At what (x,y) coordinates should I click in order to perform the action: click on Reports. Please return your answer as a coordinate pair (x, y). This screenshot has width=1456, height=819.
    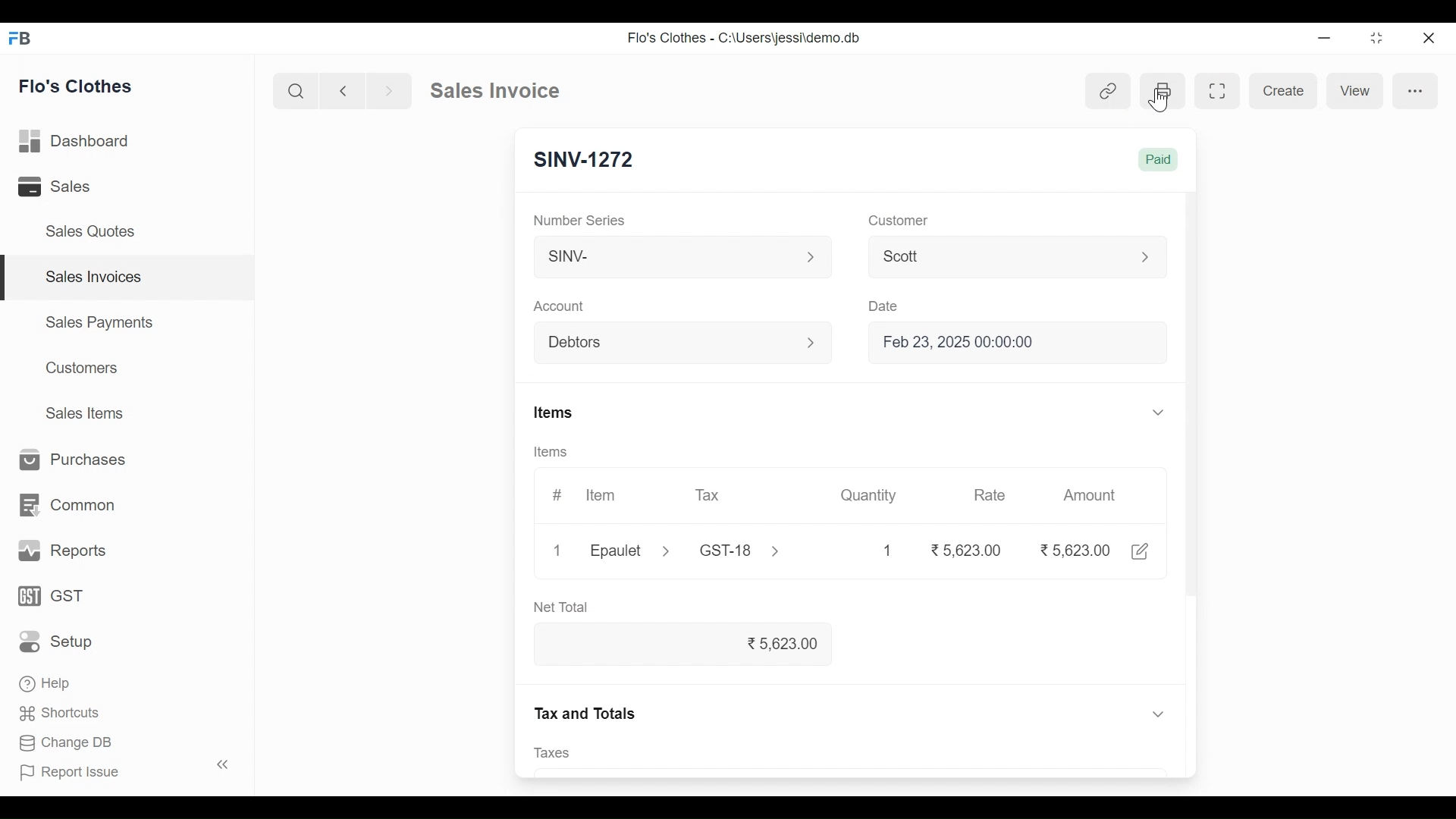
    Looking at the image, I should click on (64, 549).